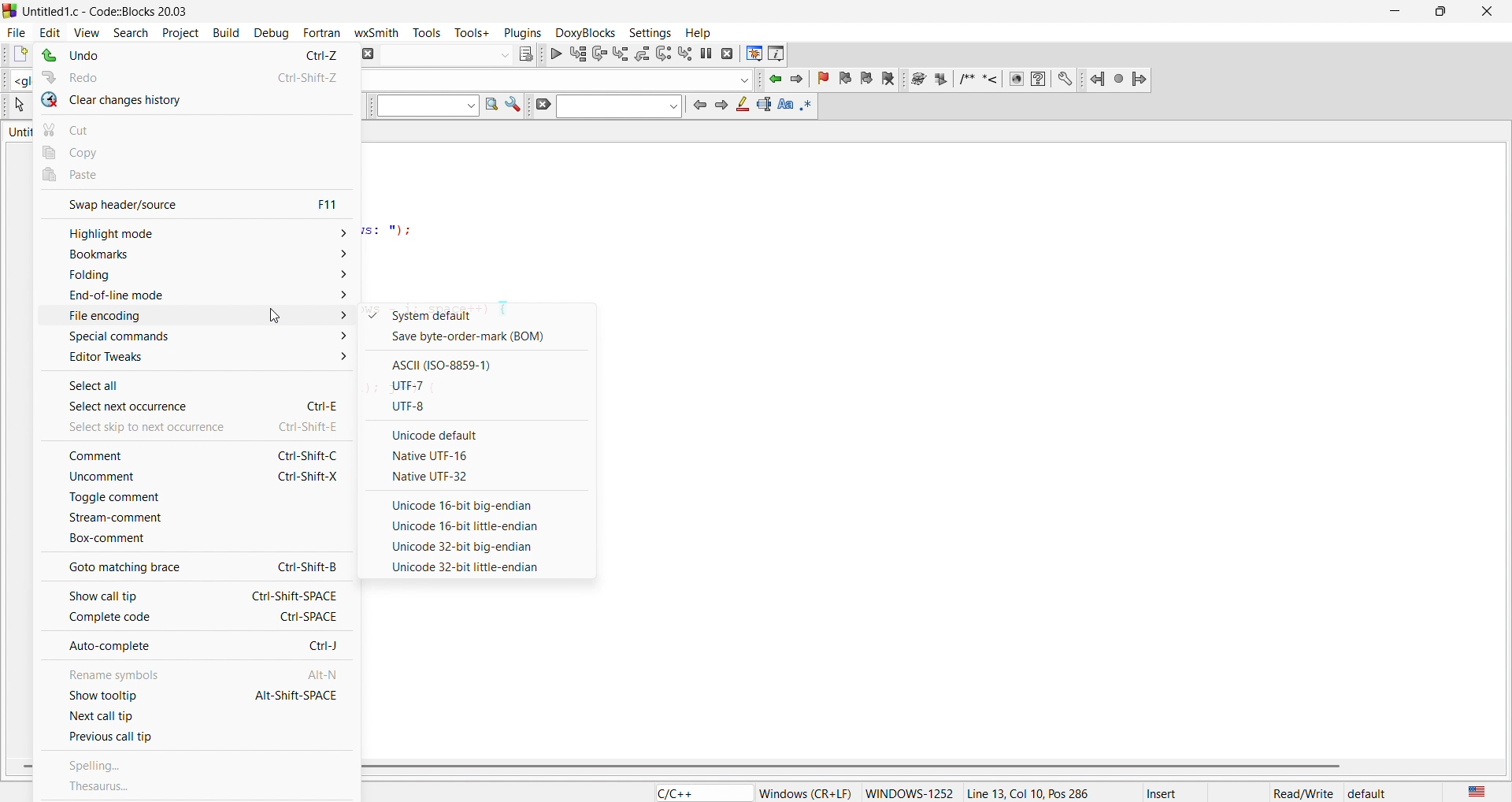 Image resolution: width=1512 pixels, height=802 pixels. I want to click on swap, so click(197, 202).